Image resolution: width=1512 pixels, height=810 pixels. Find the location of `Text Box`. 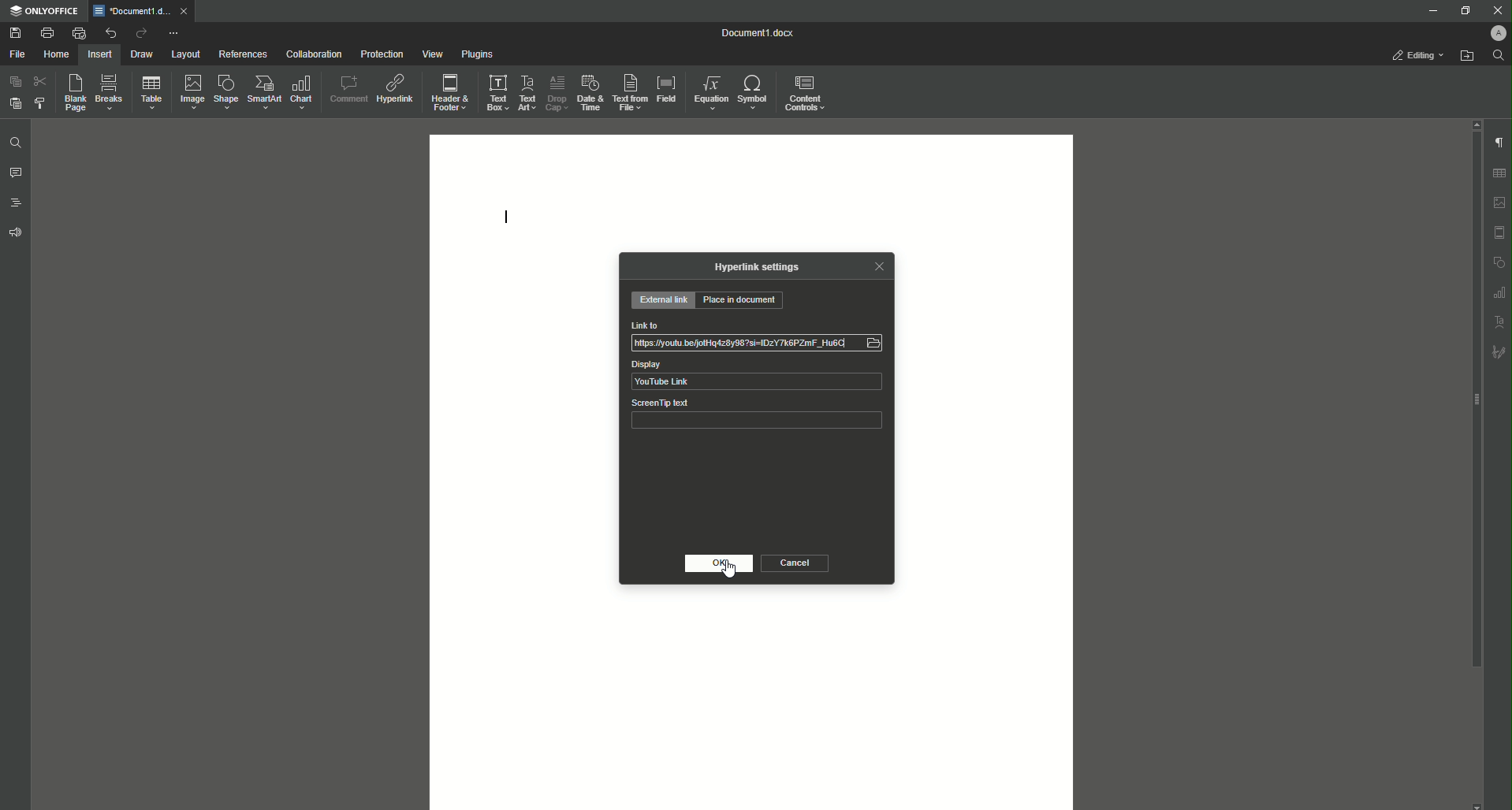

Text Box is located at coordinates (498, 92).